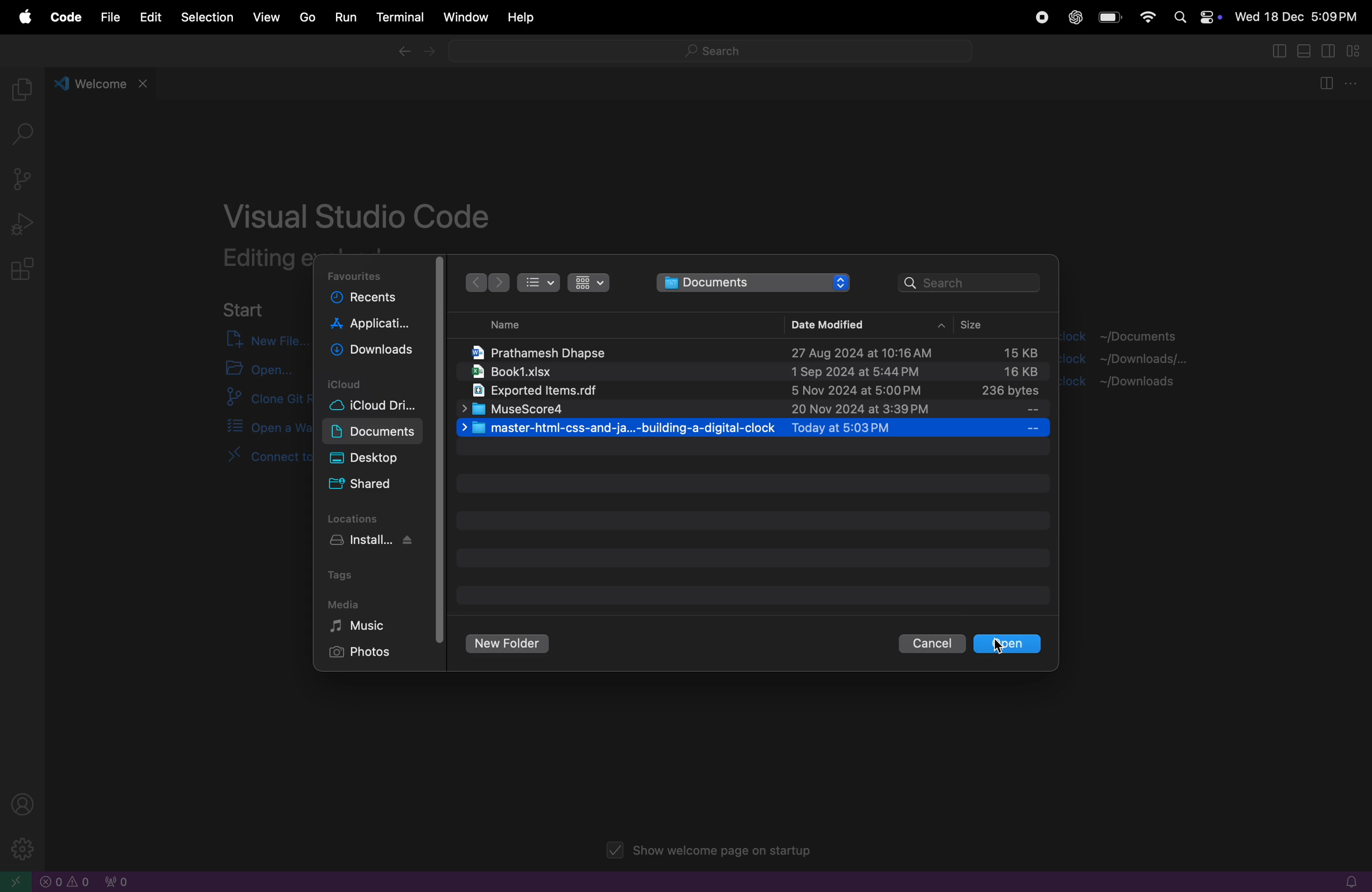 This screenshot has width=1372, height=892. I want to click on cursor, so click(1004, 647).